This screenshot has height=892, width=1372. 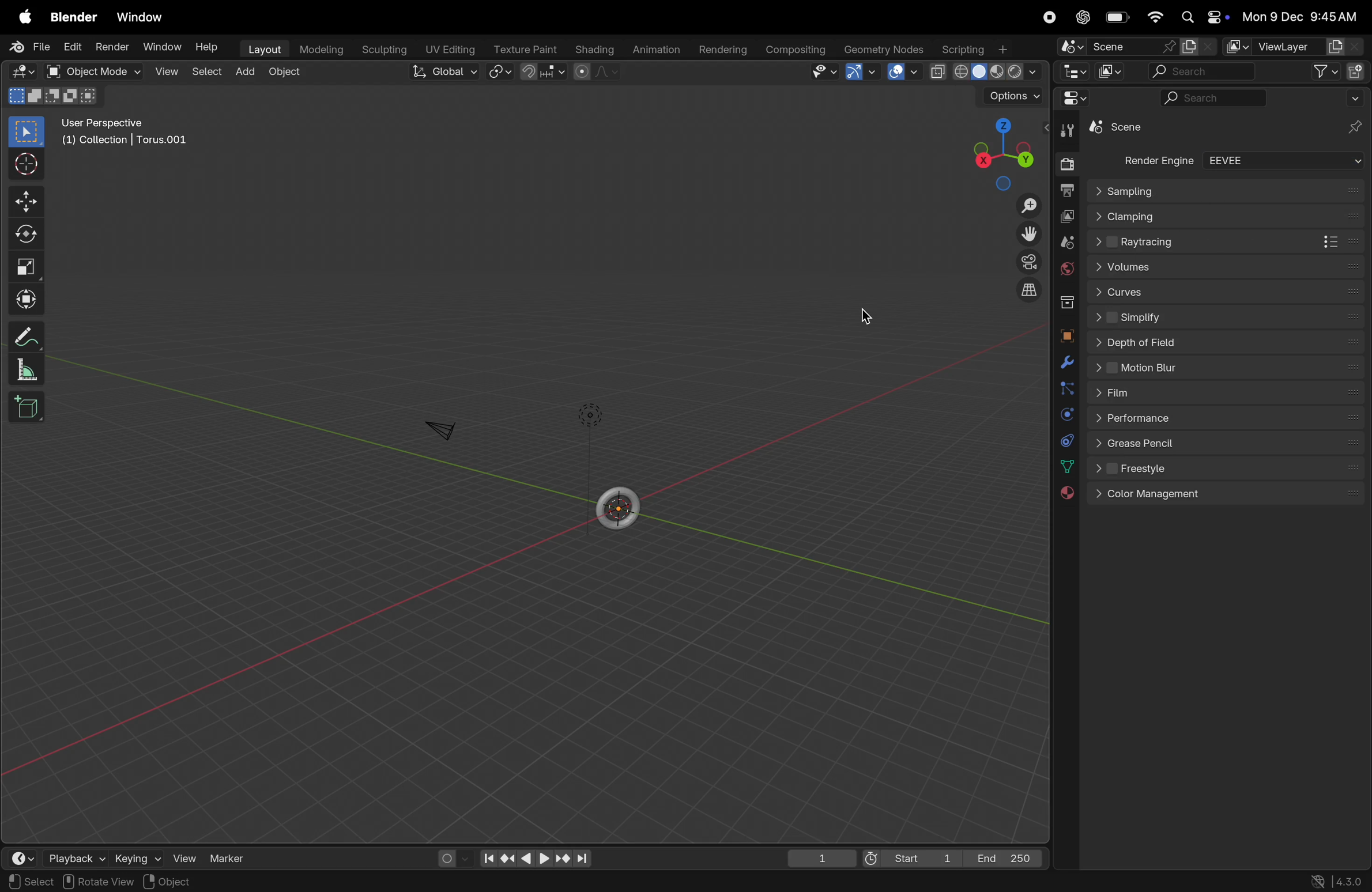 I want to click on shading, so click(x=596, y=50).